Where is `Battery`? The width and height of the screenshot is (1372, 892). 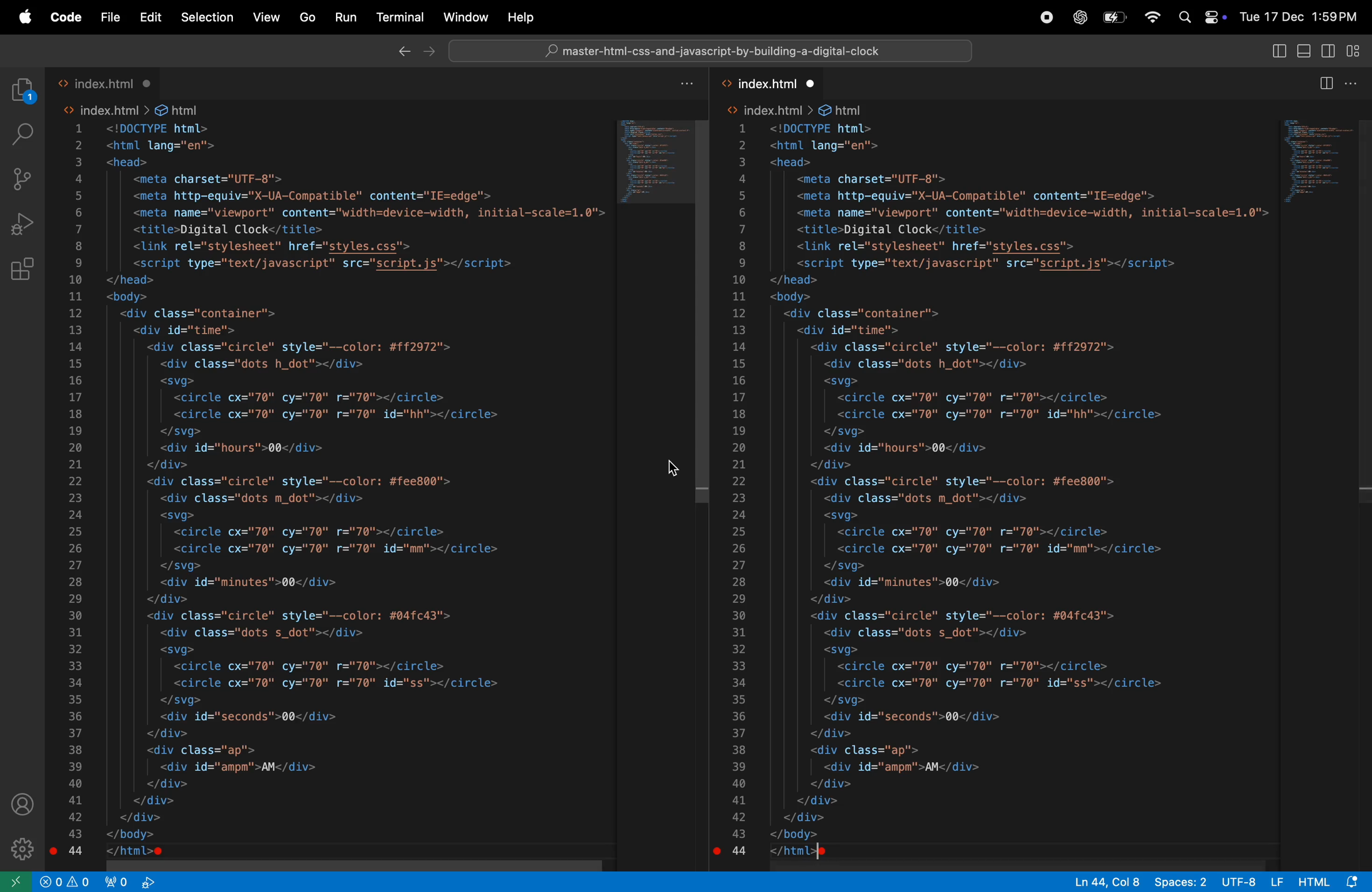
Battery is located at coordinates (1116, 17).